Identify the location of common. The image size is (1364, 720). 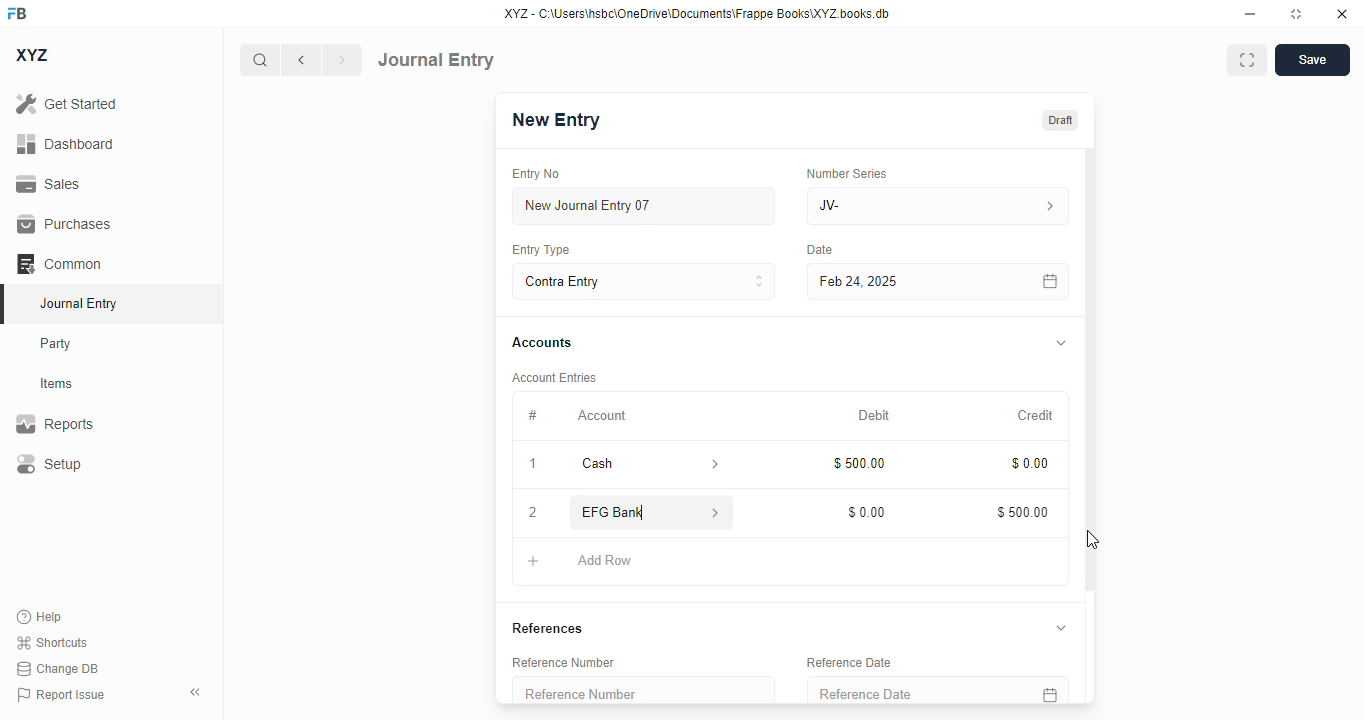
(59, 263).